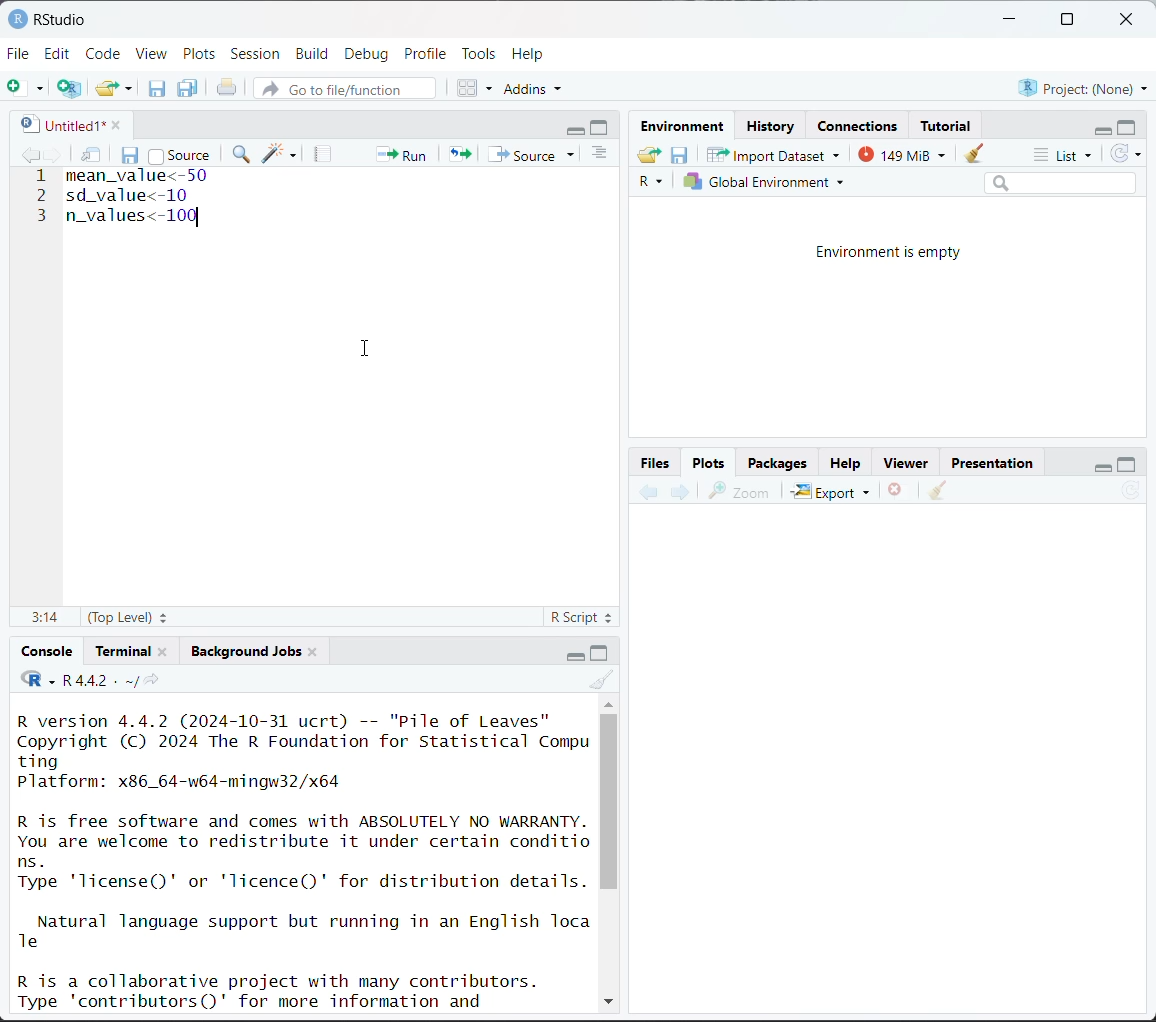 Image resolution: width=1156 pixels, height=1022 pixels. I want to click on close, so click(313, 650).